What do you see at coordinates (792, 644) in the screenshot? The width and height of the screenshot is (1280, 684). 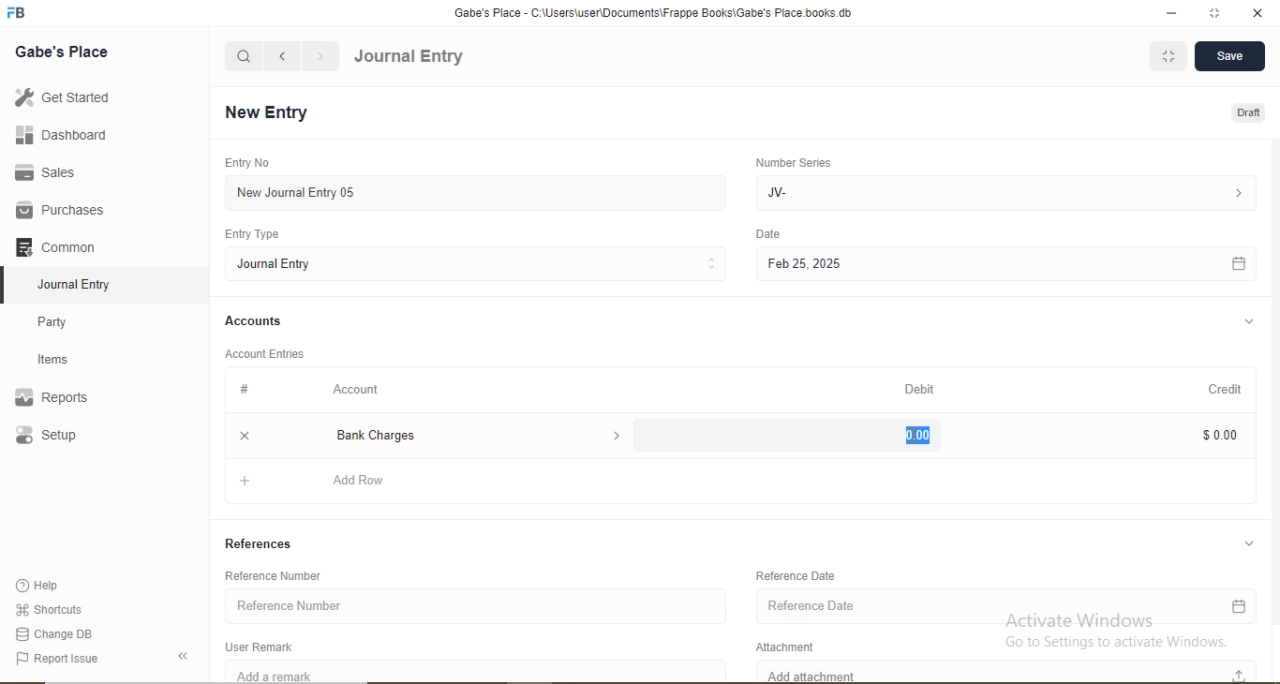 I see `Attachment` at bounding box center [792, 644].